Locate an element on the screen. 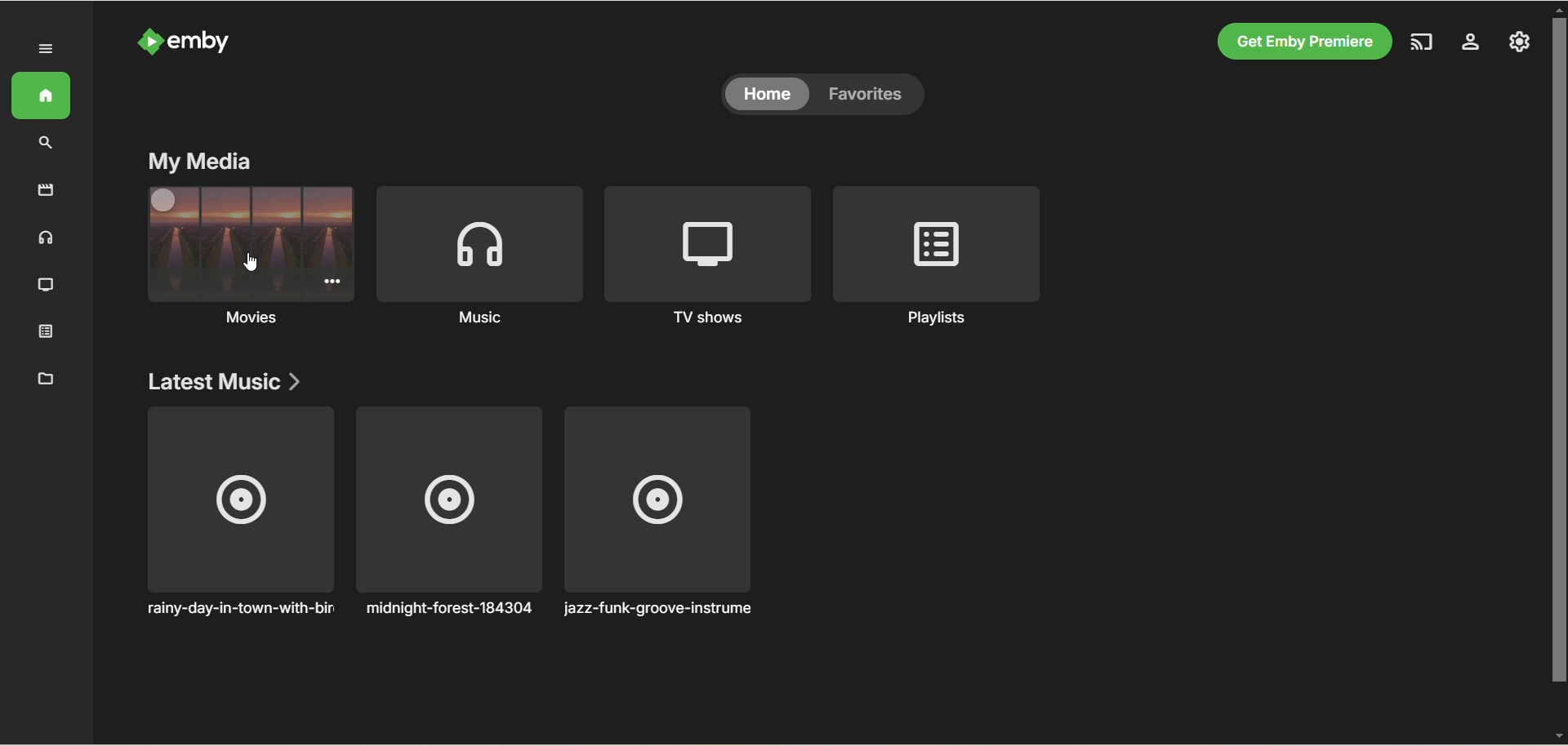 The height and width of the screenshot is (746, 1568). movies is located at coordinates (47, 189).